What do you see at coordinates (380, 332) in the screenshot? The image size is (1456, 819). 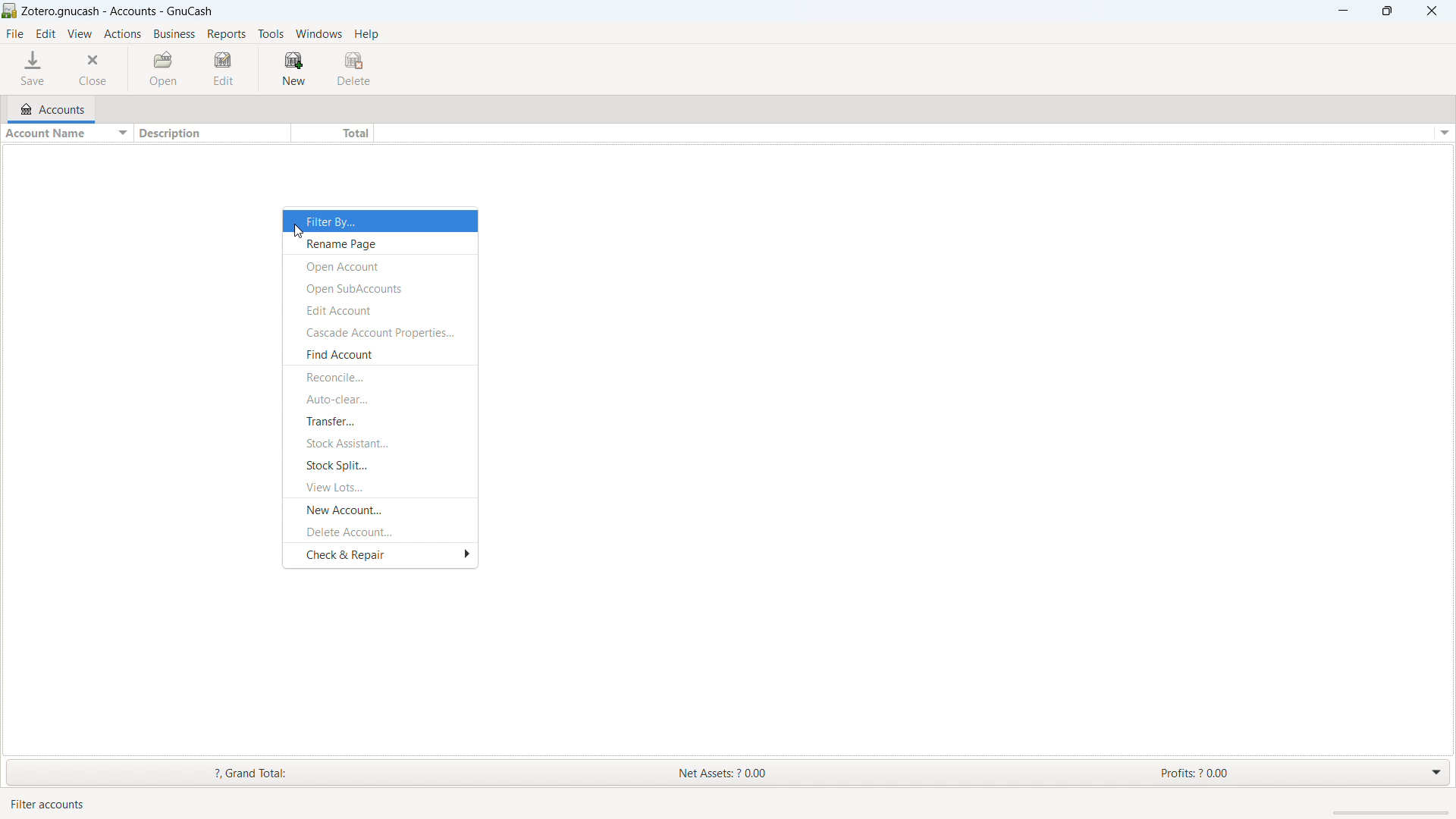 I see `cascade account properties` at bounding box center [380, 332].